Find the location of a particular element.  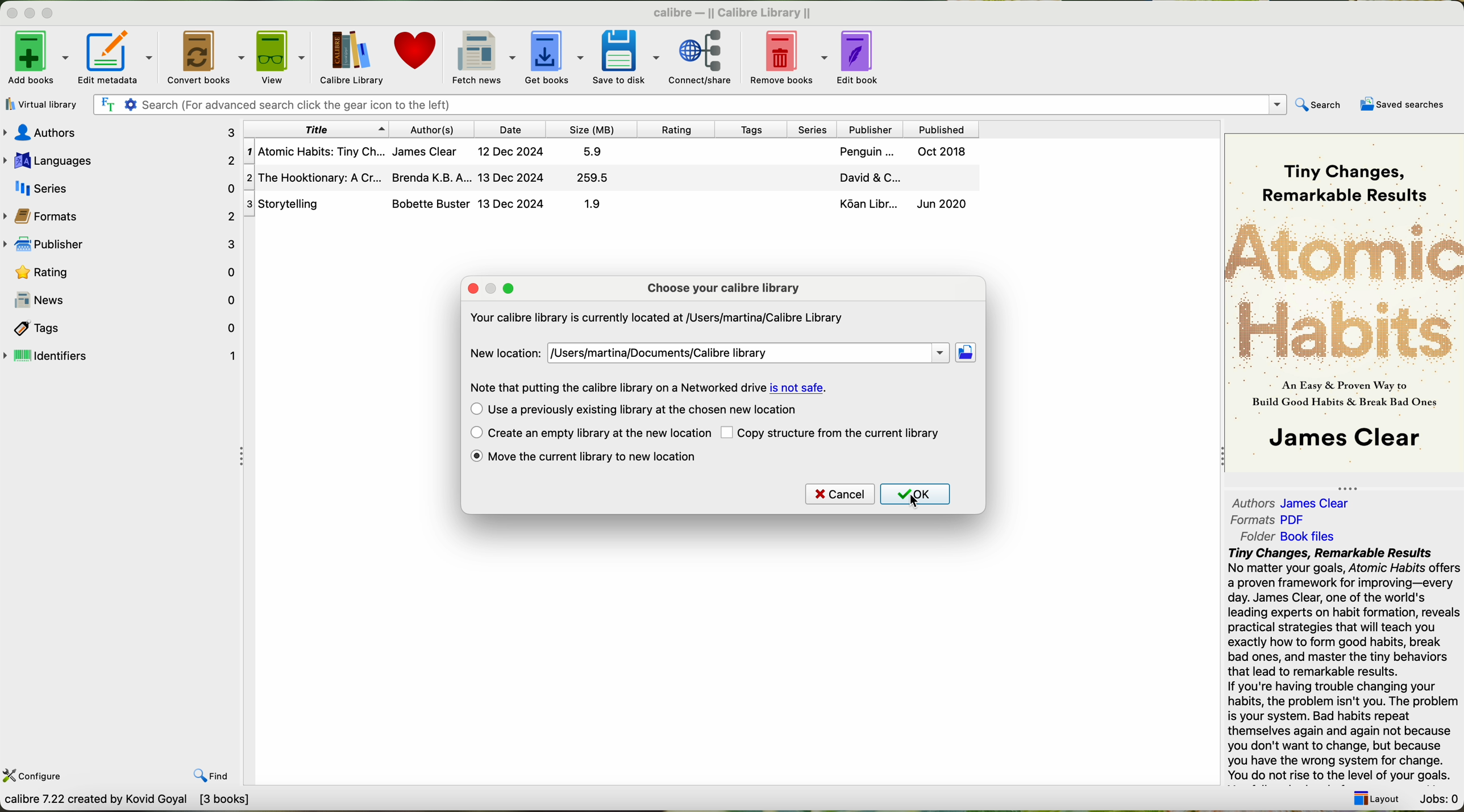

saved searches is located at coordinates (1400, 105).